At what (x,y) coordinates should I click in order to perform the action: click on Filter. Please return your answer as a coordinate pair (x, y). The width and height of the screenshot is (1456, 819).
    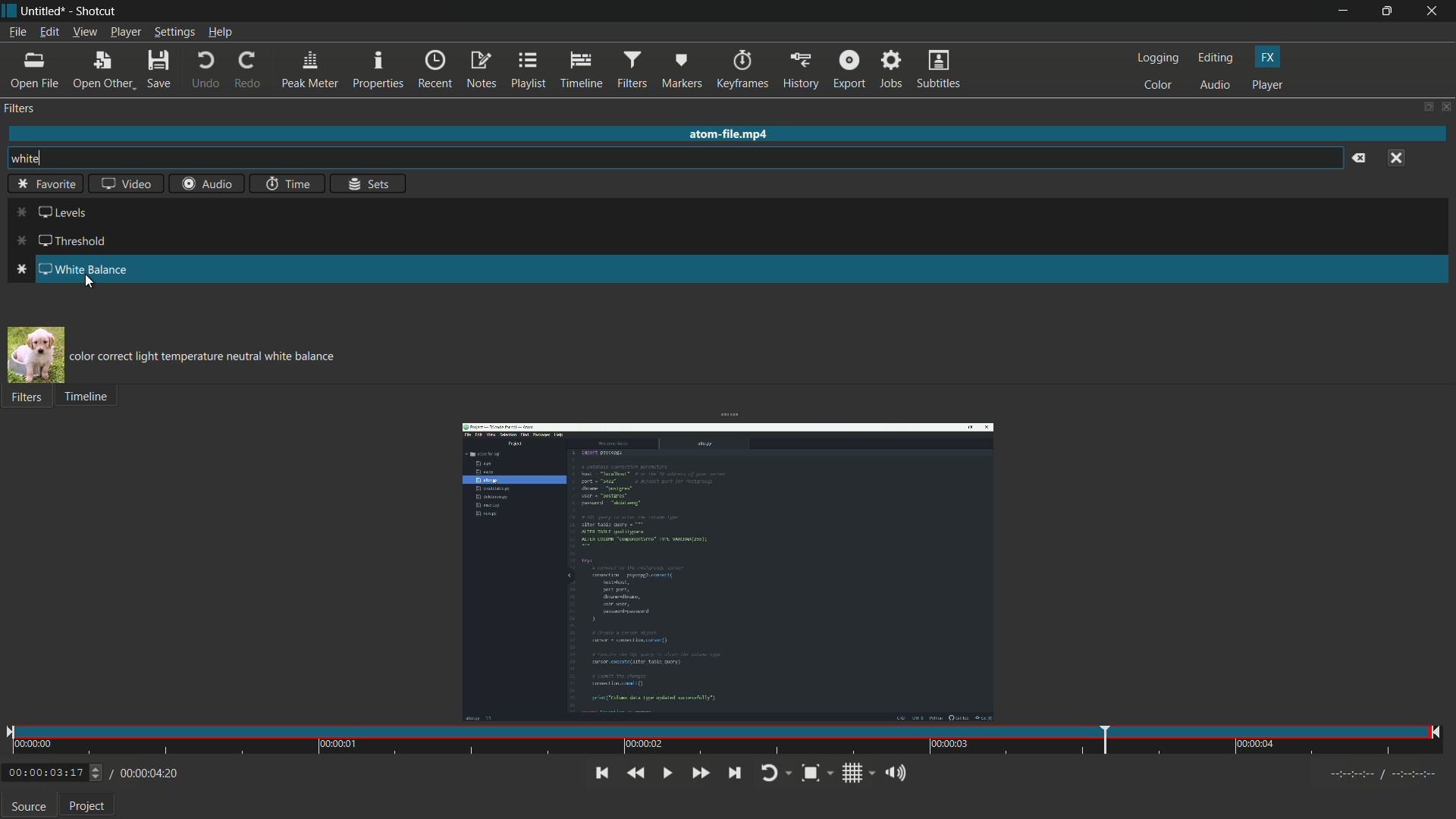
    Looking at the image, I should click on (30, 403).